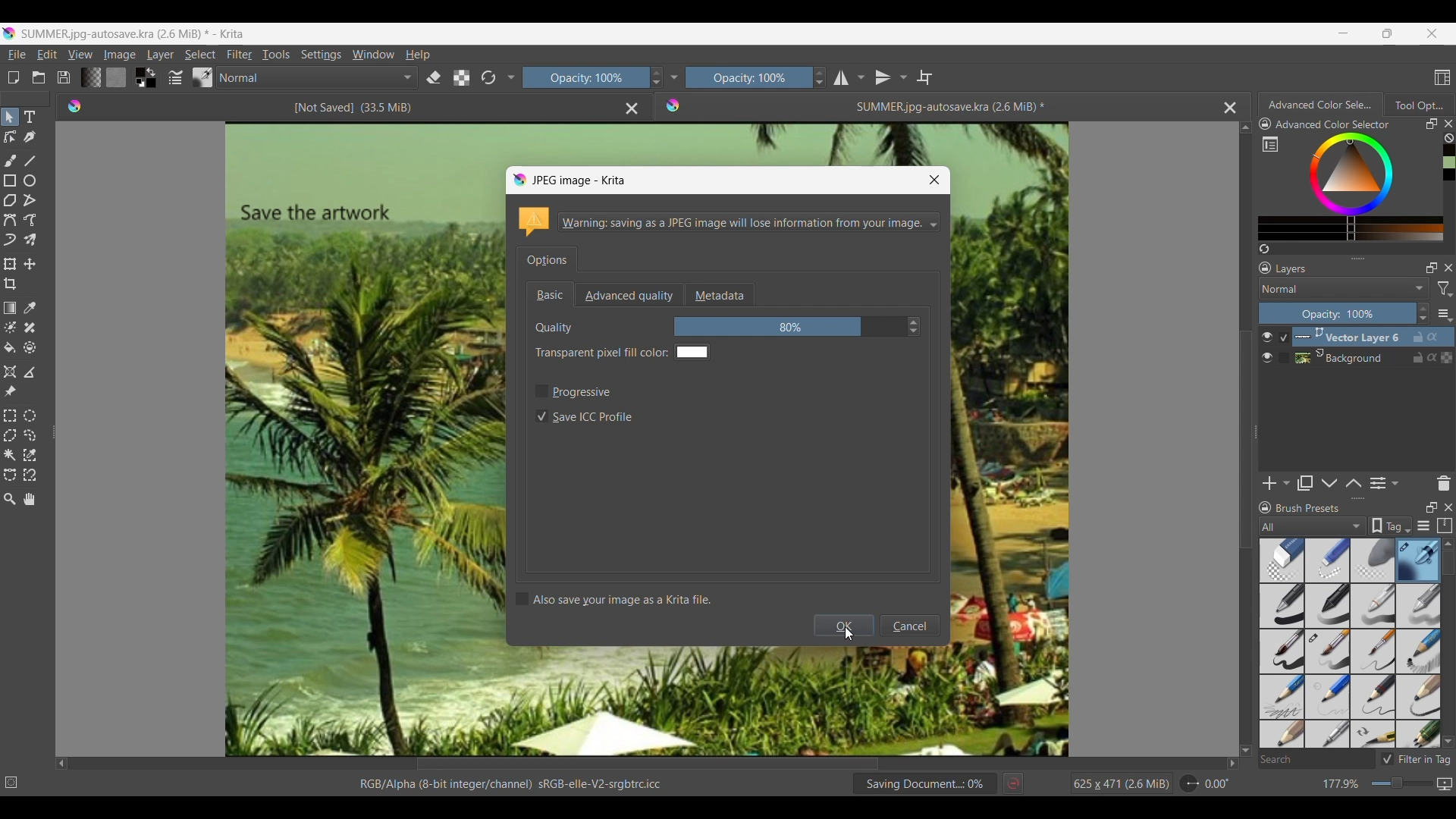 This screenshot has height=819, width=1456. Describe the element at coordinates (1418, 105) in the screenshot. I see `Tab 2, unselected` at that location.